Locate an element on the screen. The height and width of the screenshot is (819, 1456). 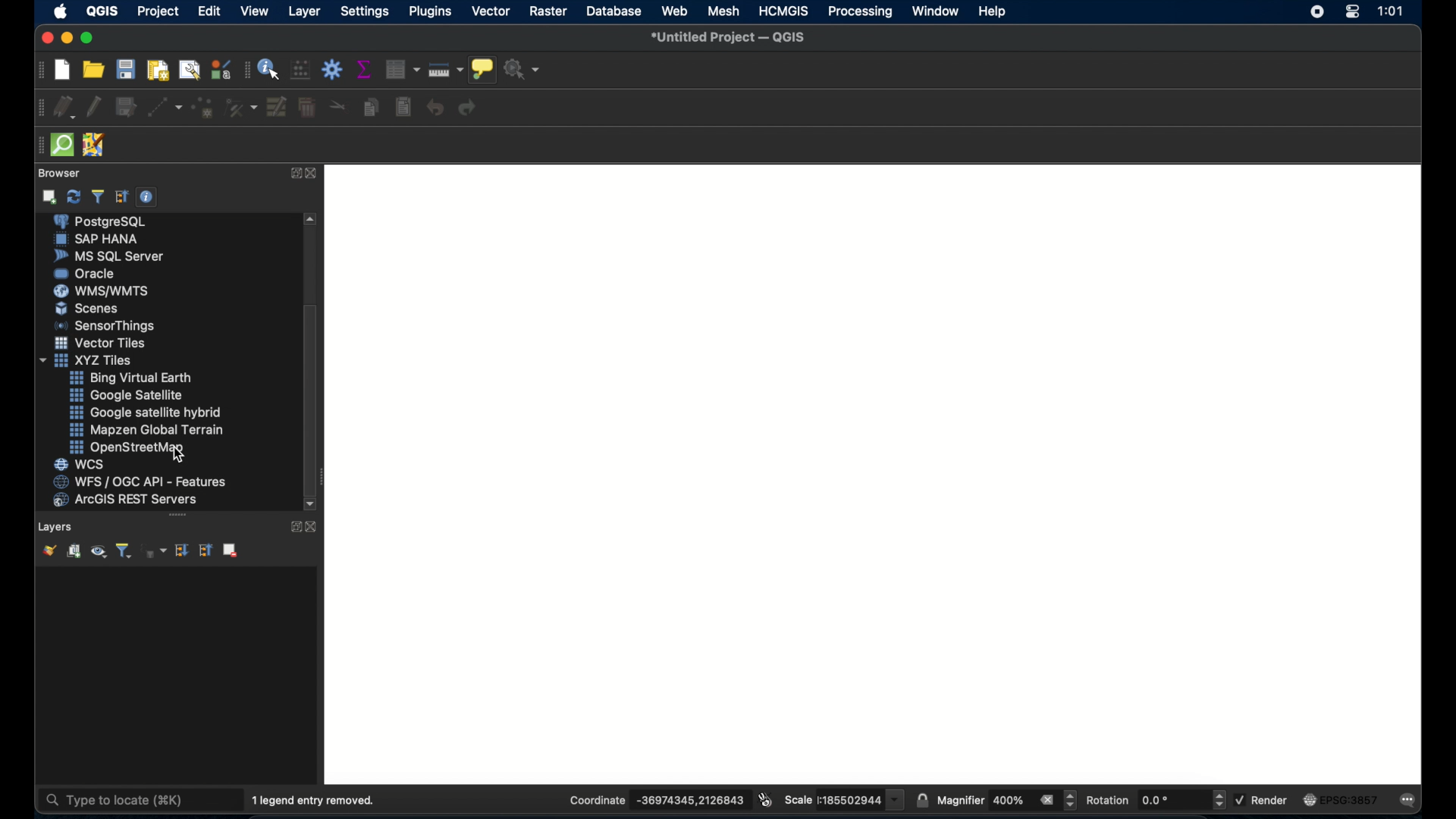
show layout manager is located at coordinates (187, 71).